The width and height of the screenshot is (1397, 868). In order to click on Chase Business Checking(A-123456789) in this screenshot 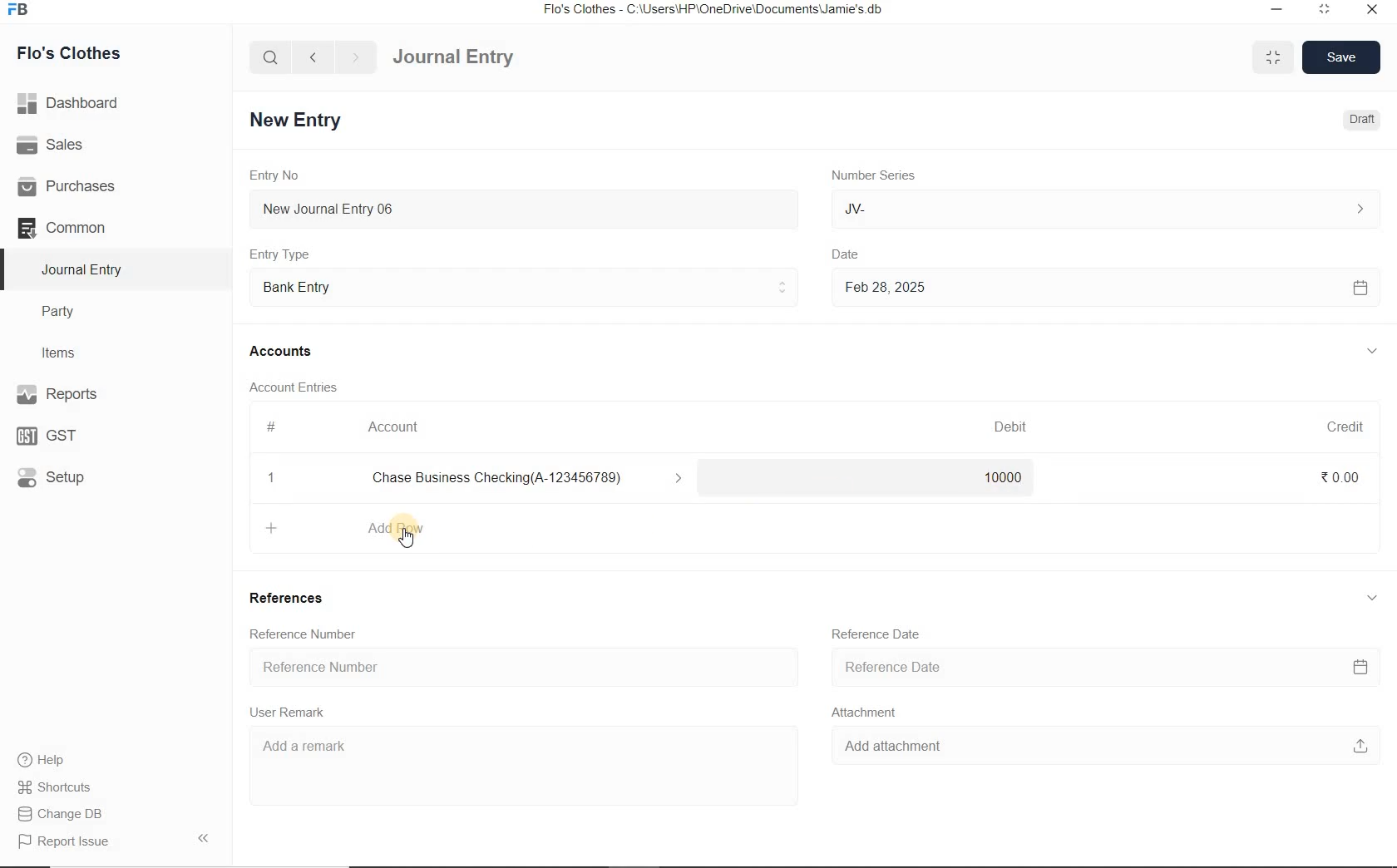, I will do `click(534, 479)`.